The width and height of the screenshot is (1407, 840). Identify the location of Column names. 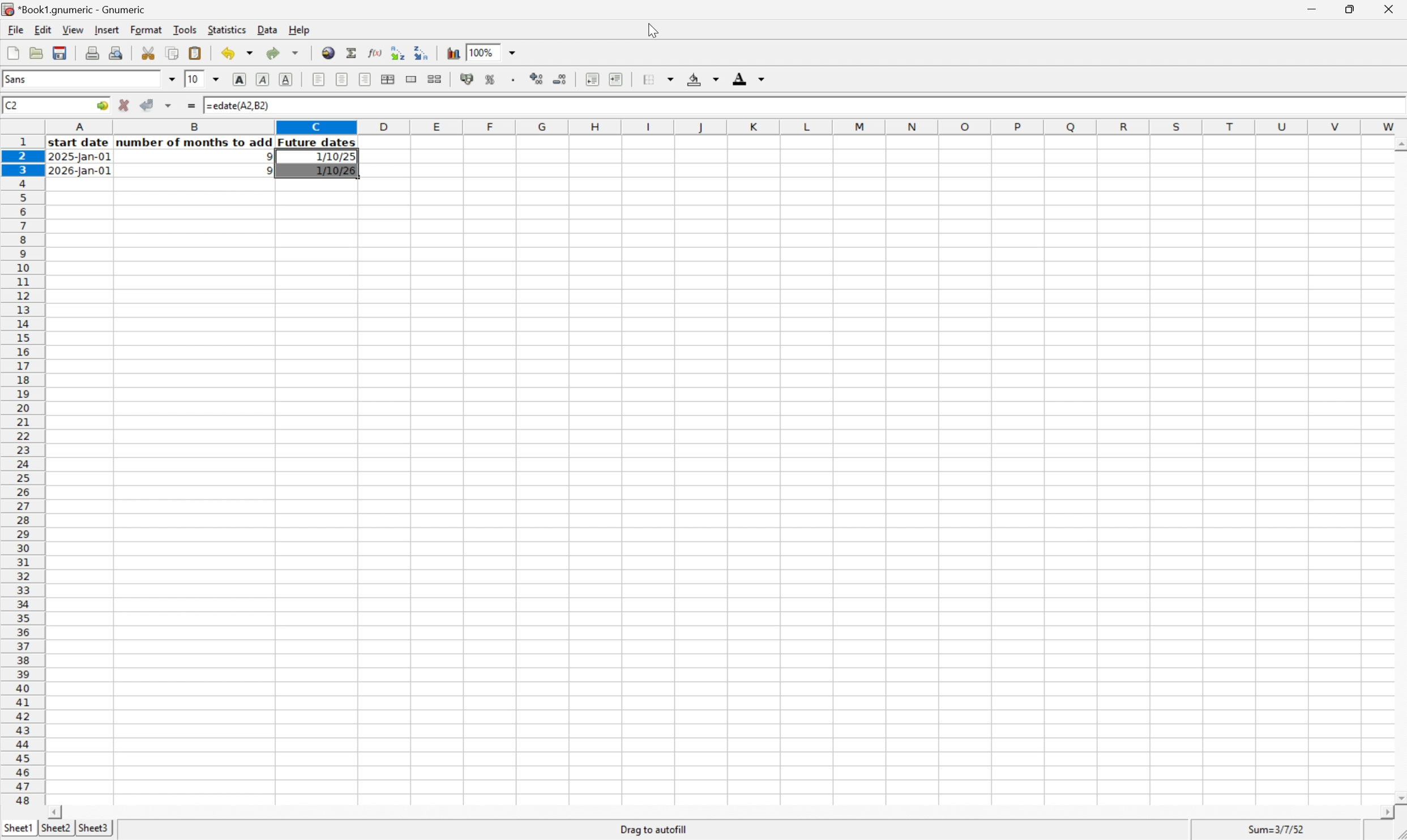
(726, 127).